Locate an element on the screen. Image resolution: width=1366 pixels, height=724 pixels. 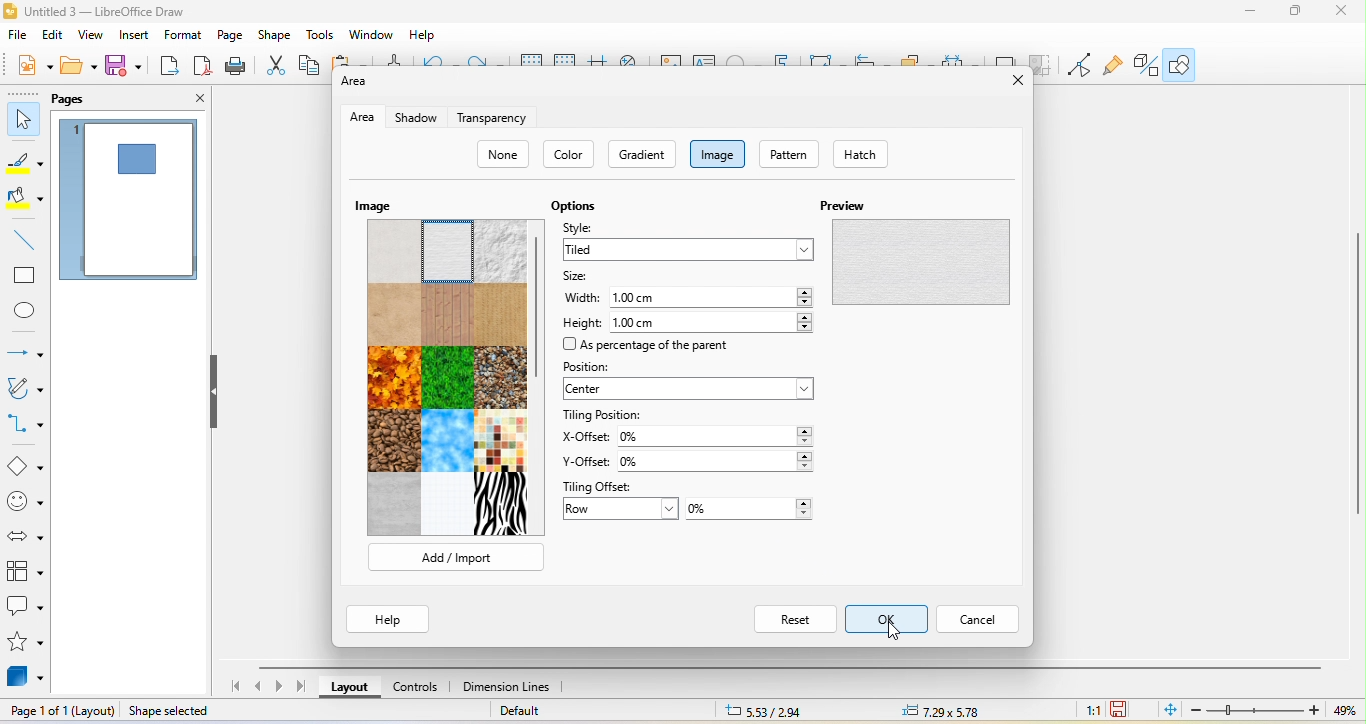
1:1 is located at coordinates (1085, 709).